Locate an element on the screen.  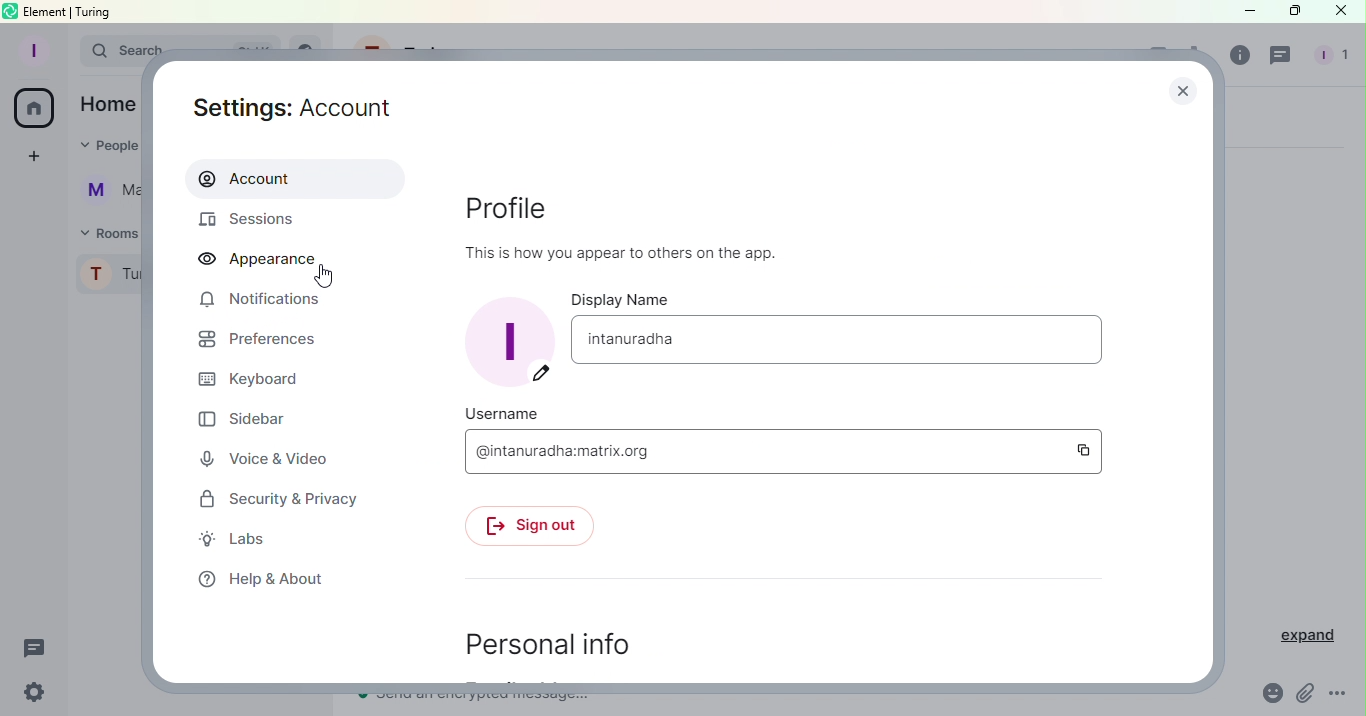
Voice and Video is located at coordinates (262, 458).